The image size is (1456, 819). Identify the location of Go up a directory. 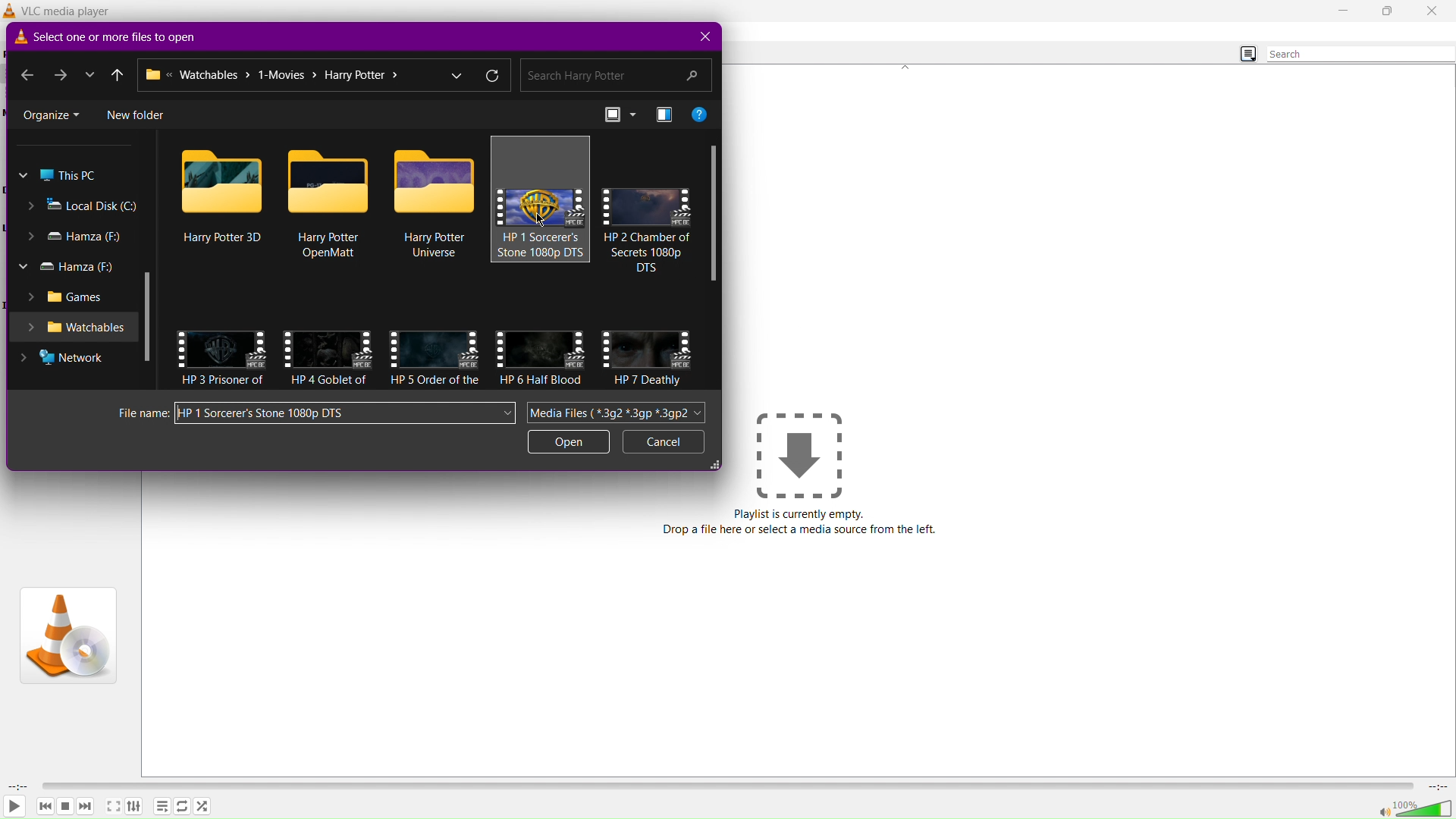
(119, 74).